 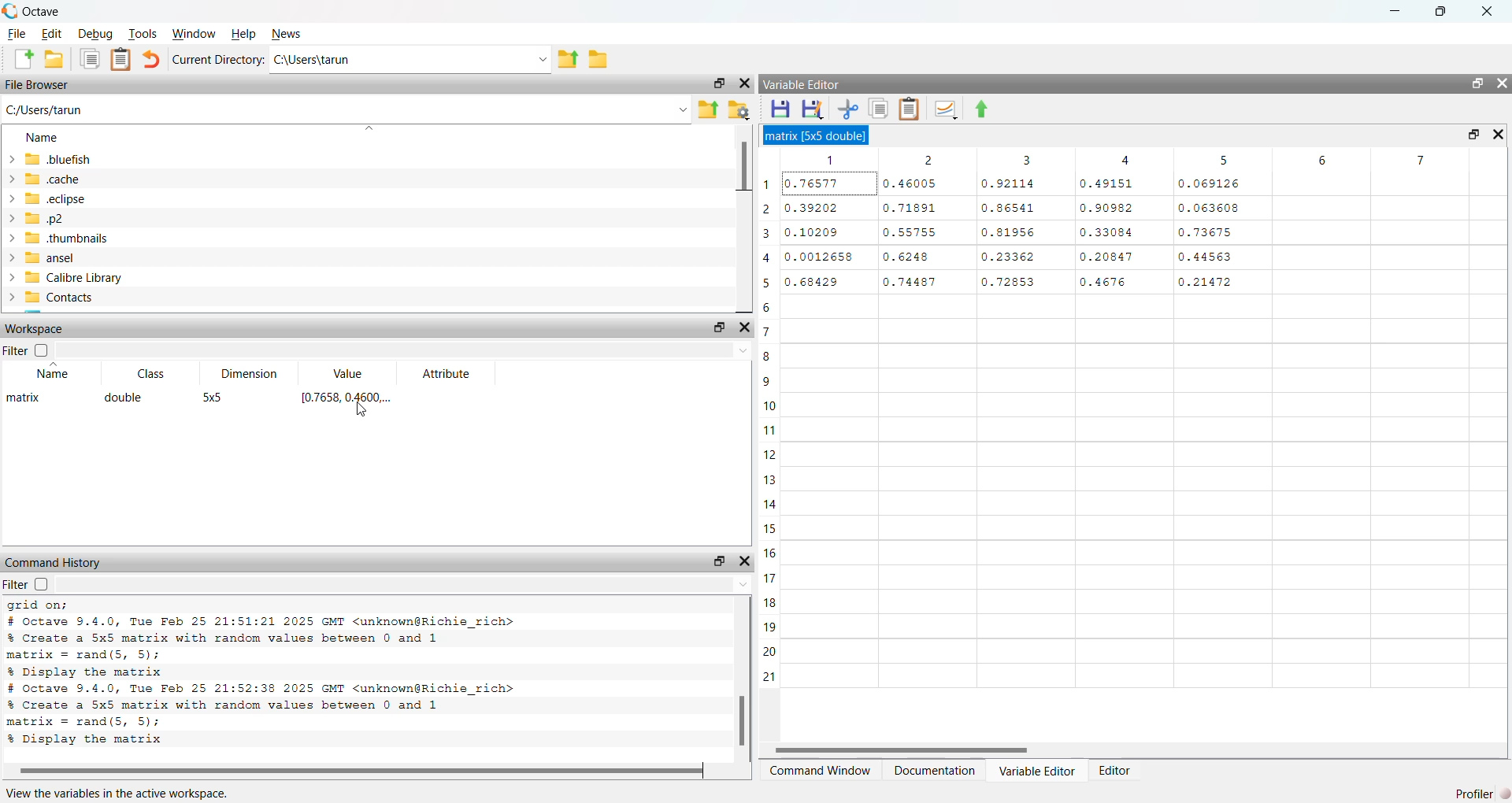 I want to click on File Browser, so click(x=42, y=86).